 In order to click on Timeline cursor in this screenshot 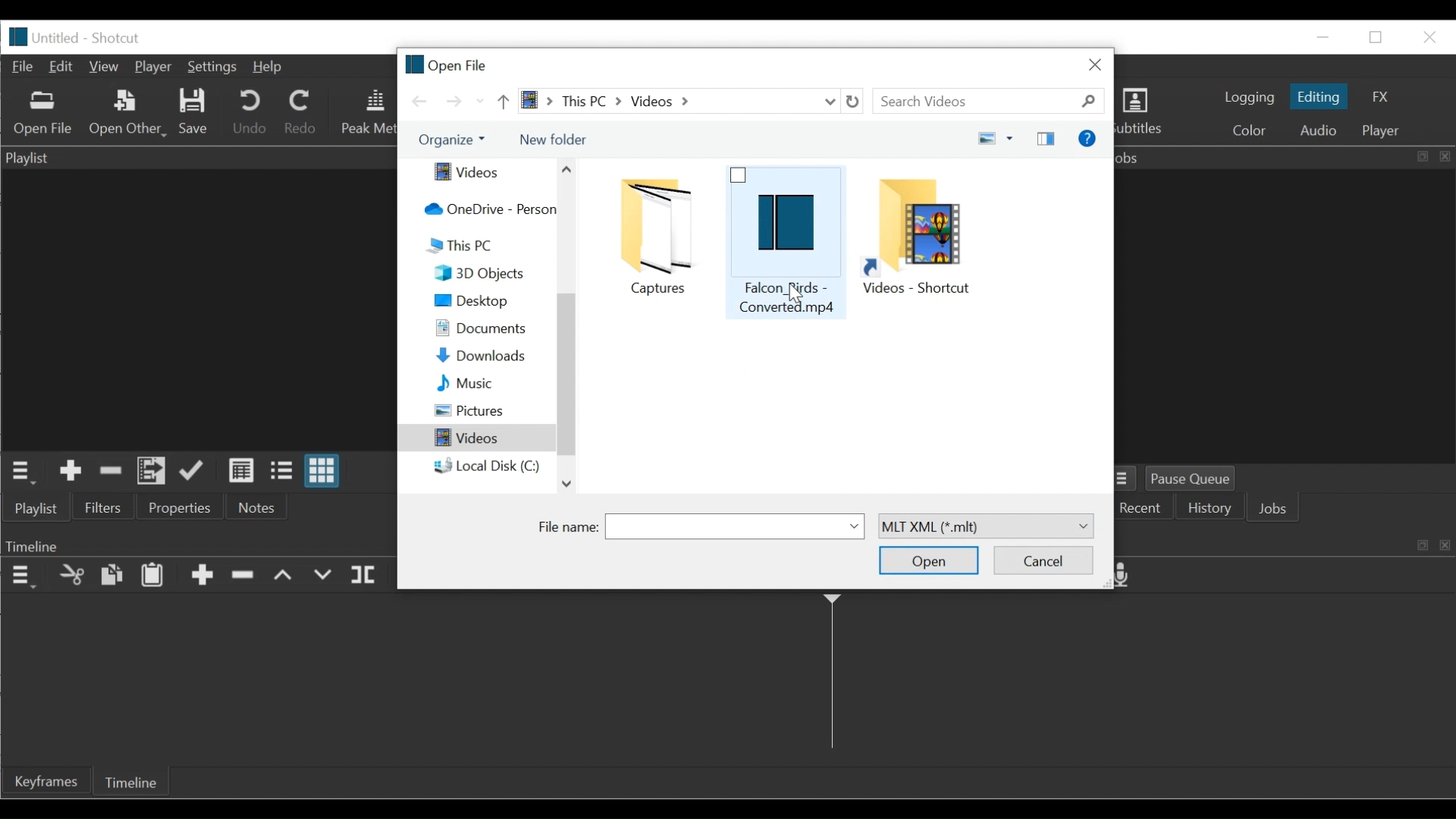, I will do `click(831, 676)`.